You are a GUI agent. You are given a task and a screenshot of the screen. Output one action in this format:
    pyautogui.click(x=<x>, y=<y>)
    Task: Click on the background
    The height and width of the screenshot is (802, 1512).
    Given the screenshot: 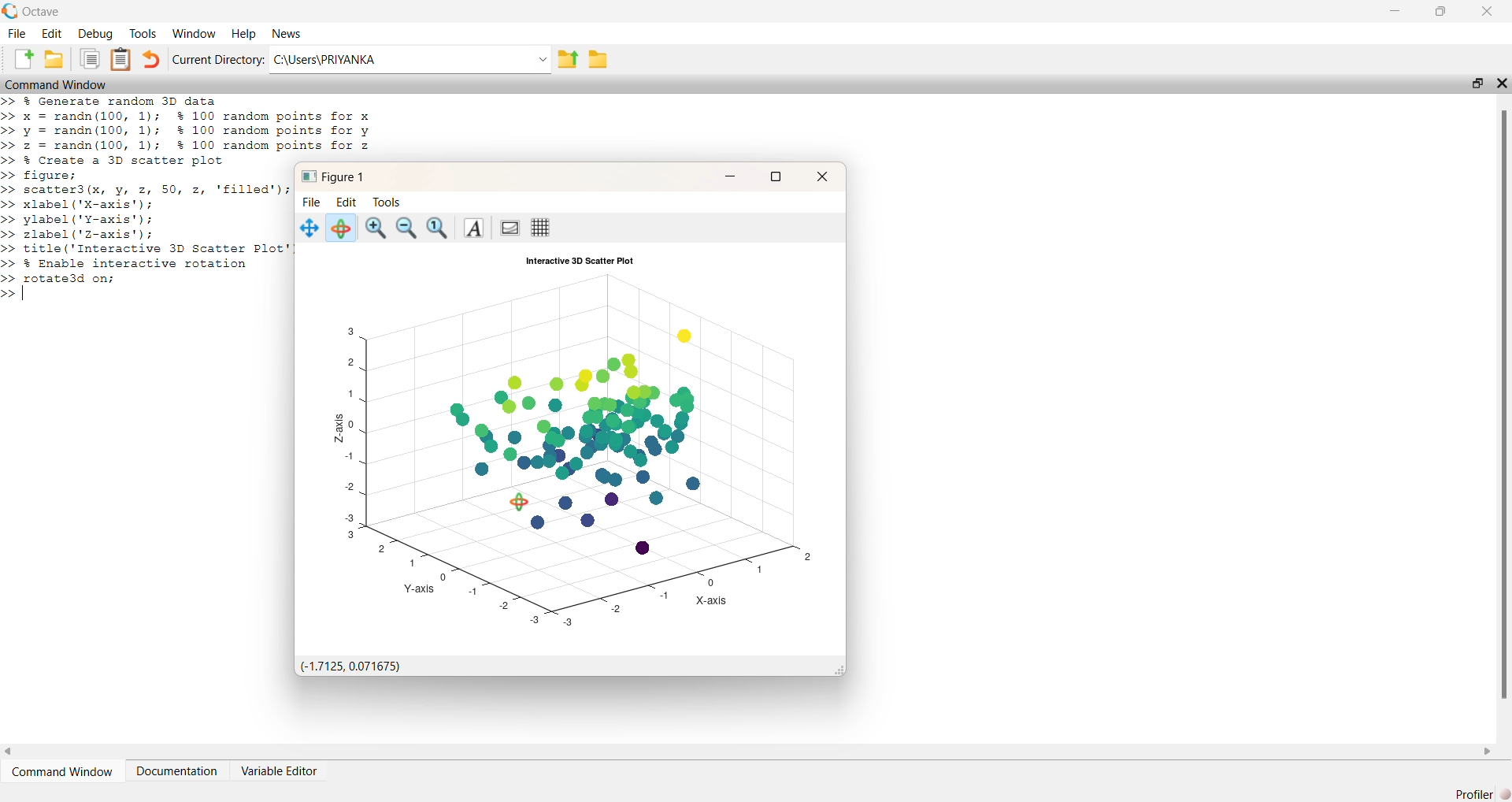 What is the action you would take?
    pyautogui.click(x=508, y=228)
    